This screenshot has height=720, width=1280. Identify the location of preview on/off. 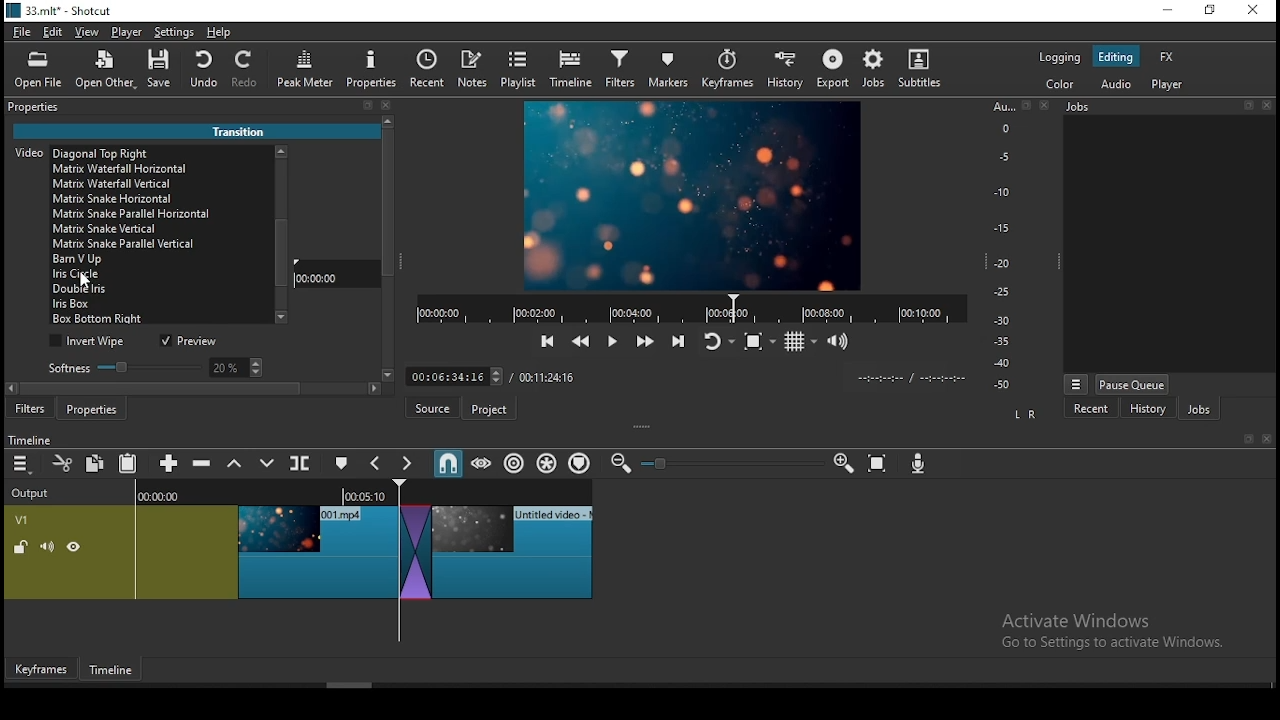
(192, 342).